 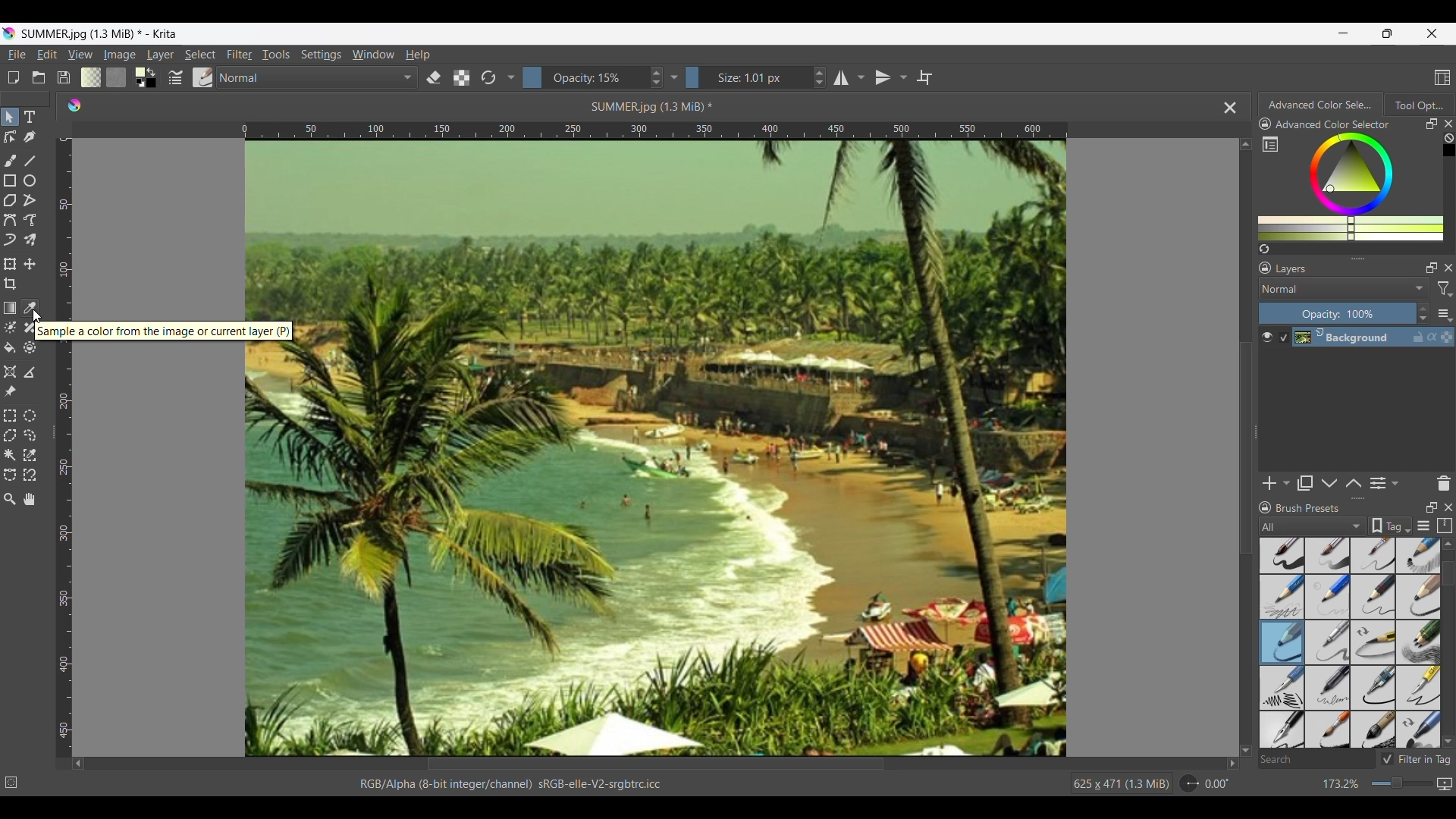 What do you see at coordinates (13, 78) in the screenshot?
I see `Create new document` at bounding box center [13, 78].